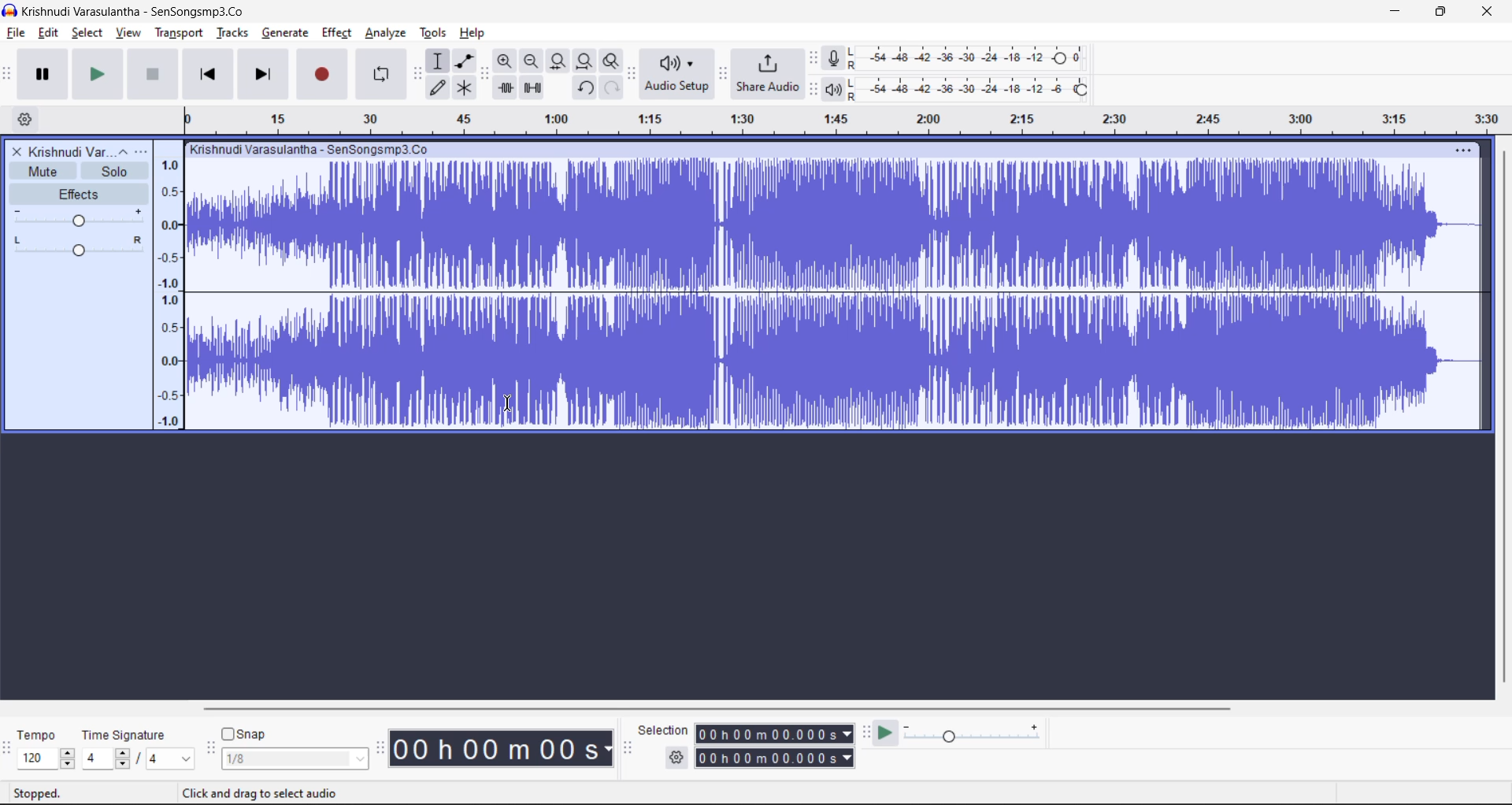 The height and width of the screenshot is (805, 1512). I want to click on maximize, so click(1436, 12).